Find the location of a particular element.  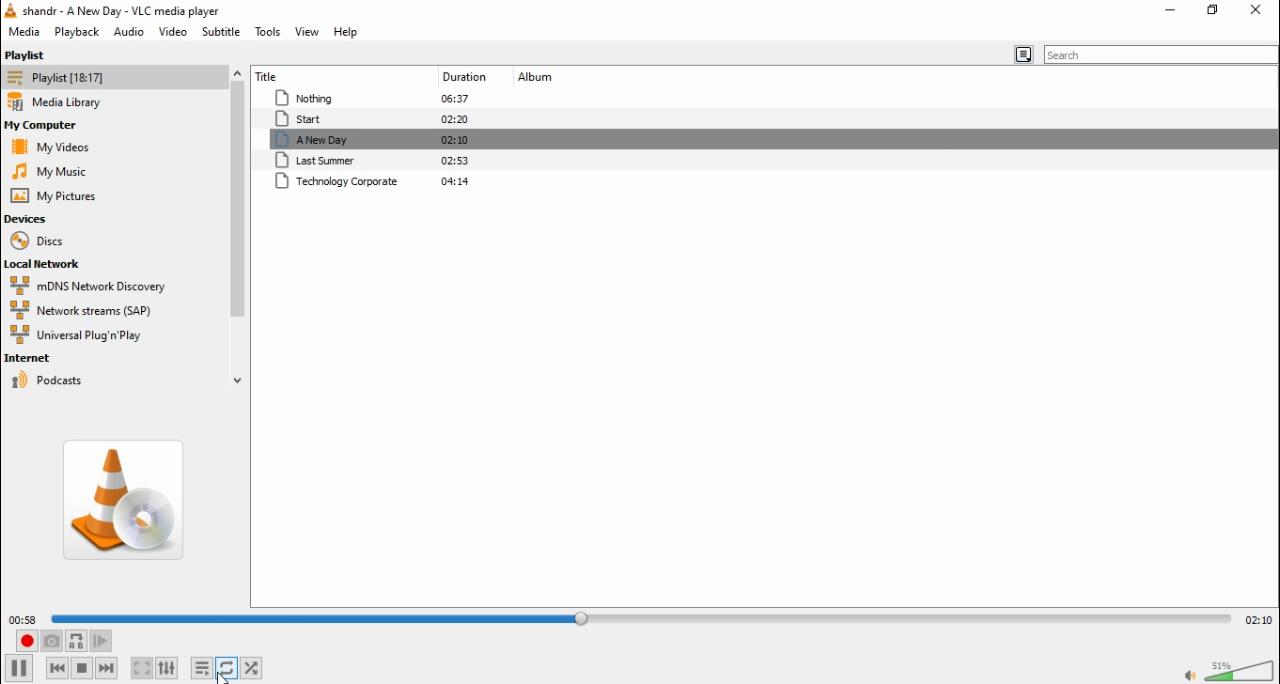

internet is located at coordinates (72, 358).